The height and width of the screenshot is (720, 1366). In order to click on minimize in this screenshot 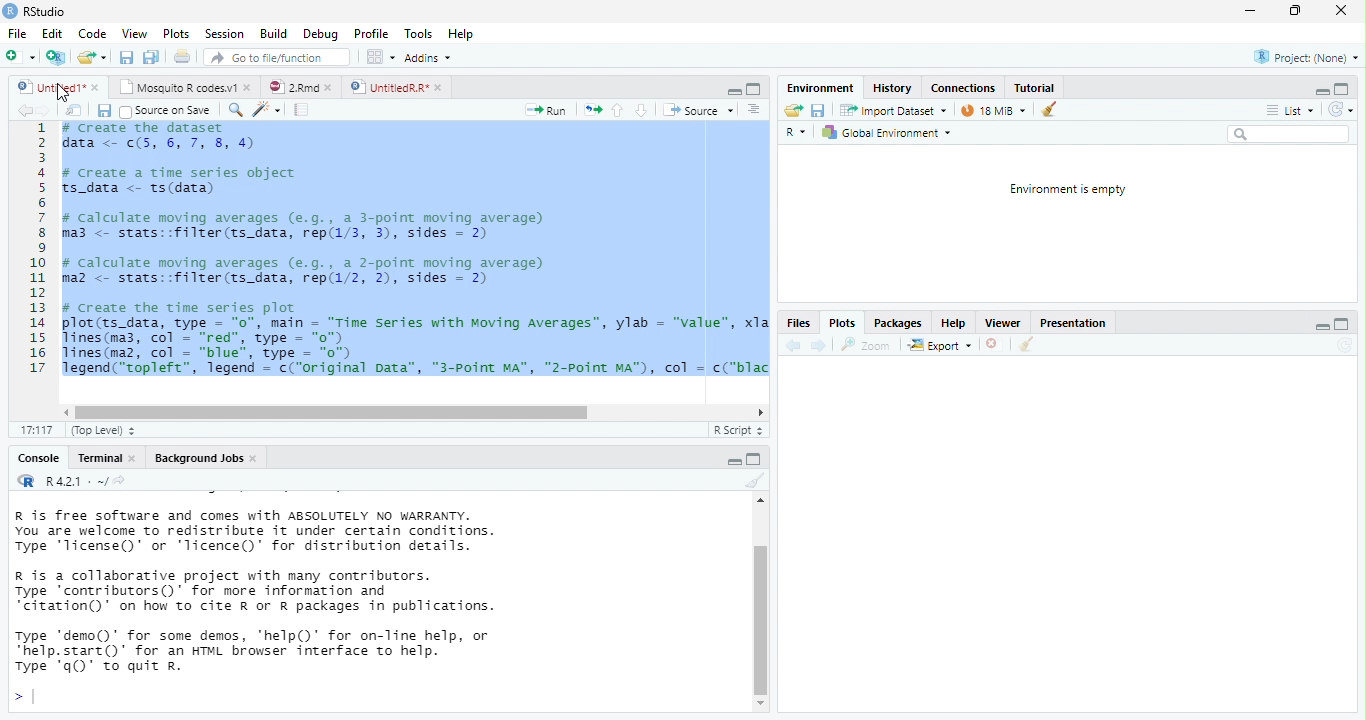, I will do `click(1319, 93)`.